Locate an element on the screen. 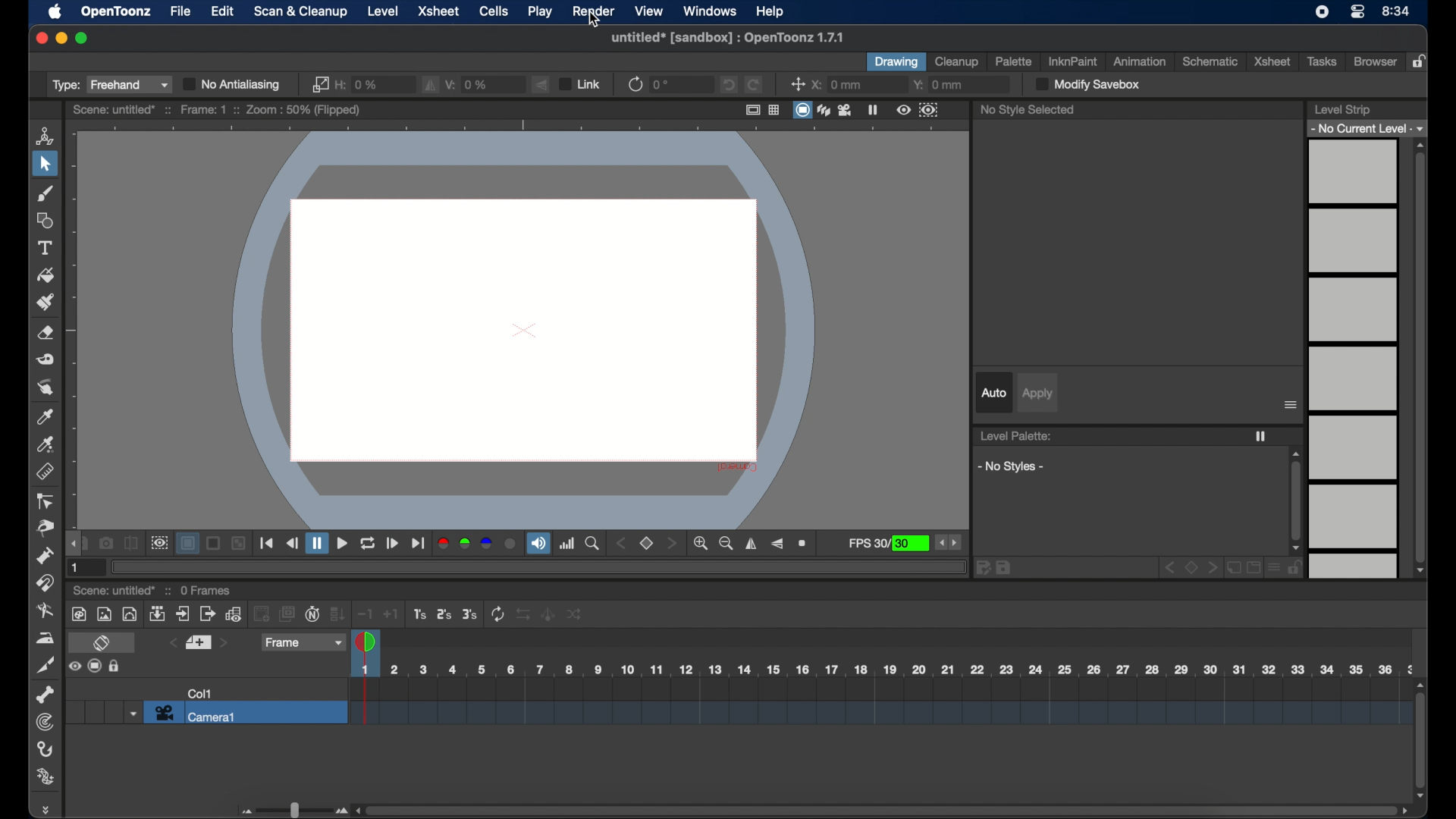 The image size is (1456, 819). animate tool is located at coordinates (45, 135).